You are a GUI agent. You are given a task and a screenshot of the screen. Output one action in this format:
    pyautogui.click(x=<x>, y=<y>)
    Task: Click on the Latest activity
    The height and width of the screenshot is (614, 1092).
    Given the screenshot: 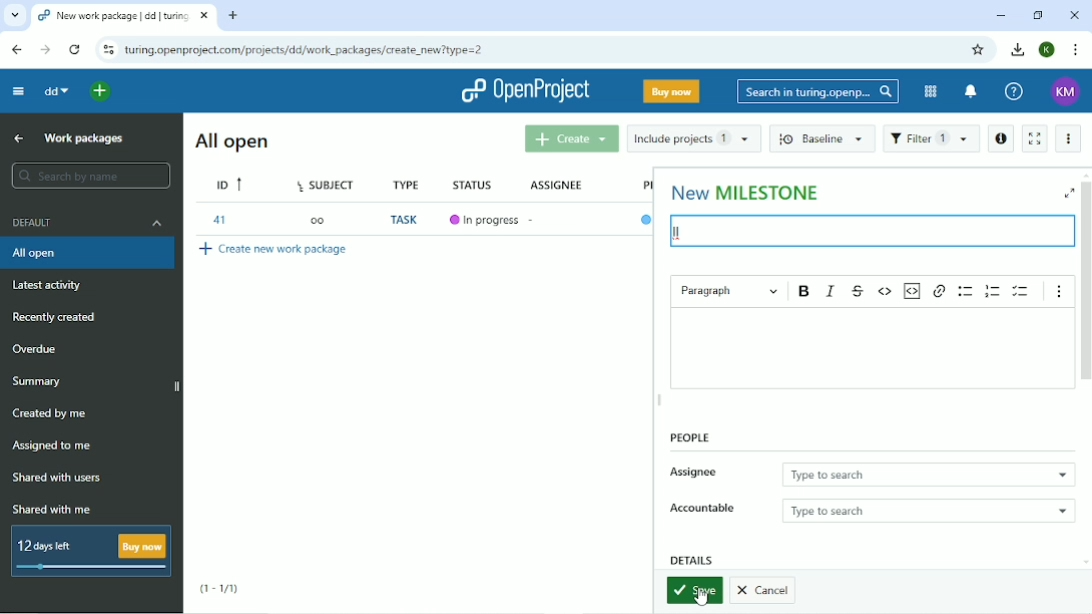 What is the action you would take?
    pyautogui.click(x=54, y=288)
    